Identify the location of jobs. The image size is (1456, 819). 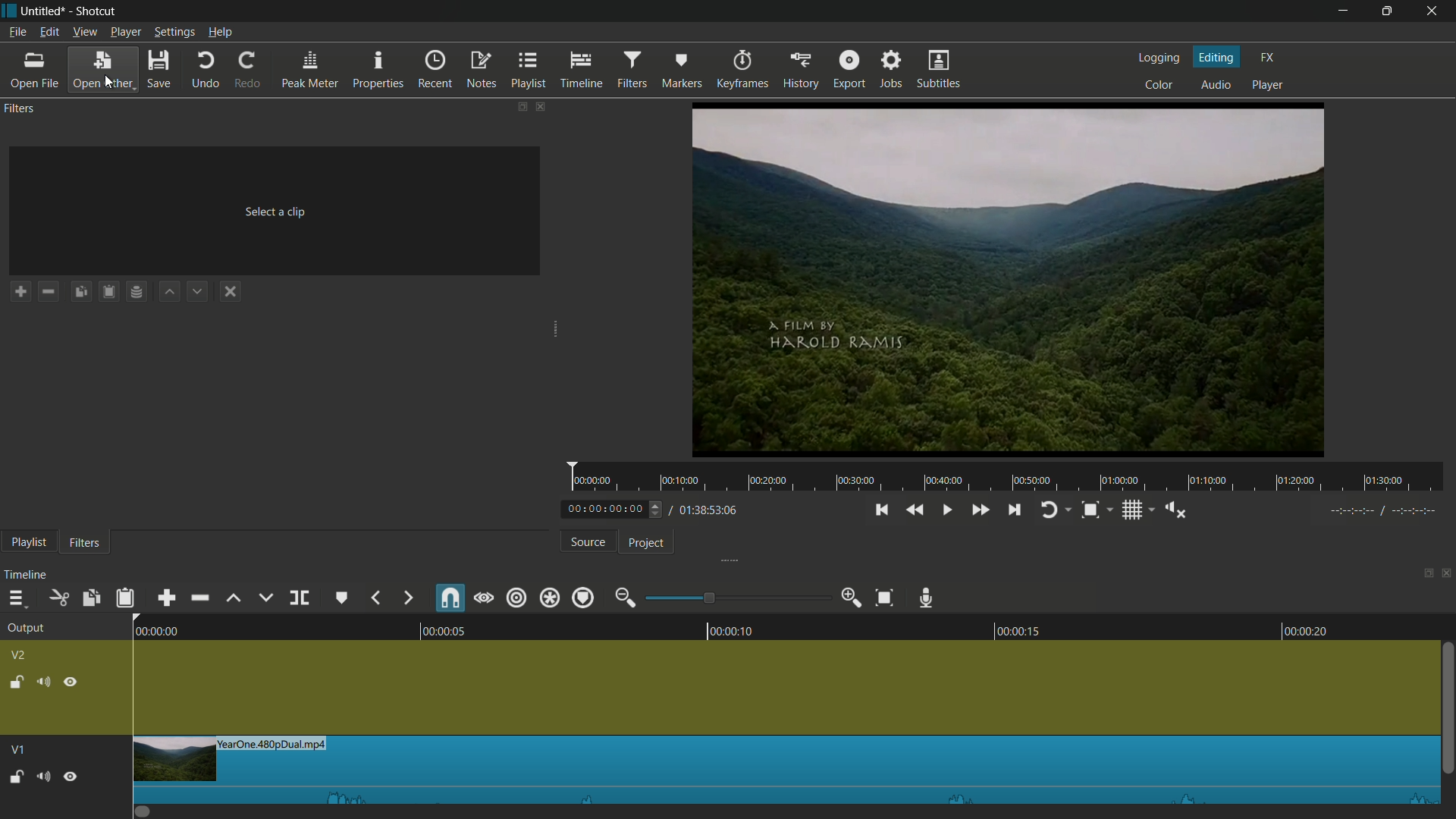
(893, 71).